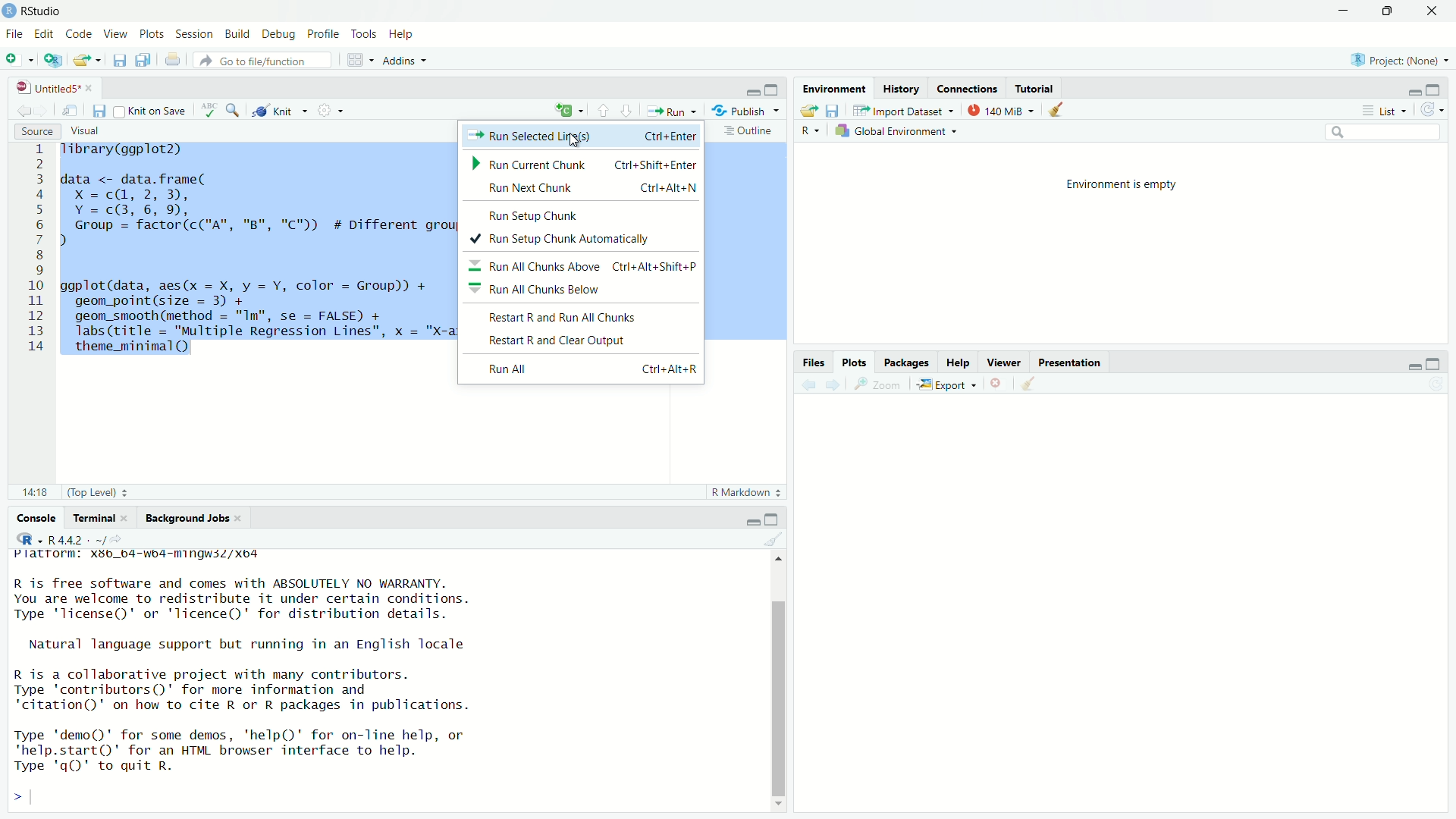 This screenshot has width=1456, height=819. I want to click on RStudio, so click(36, 11).